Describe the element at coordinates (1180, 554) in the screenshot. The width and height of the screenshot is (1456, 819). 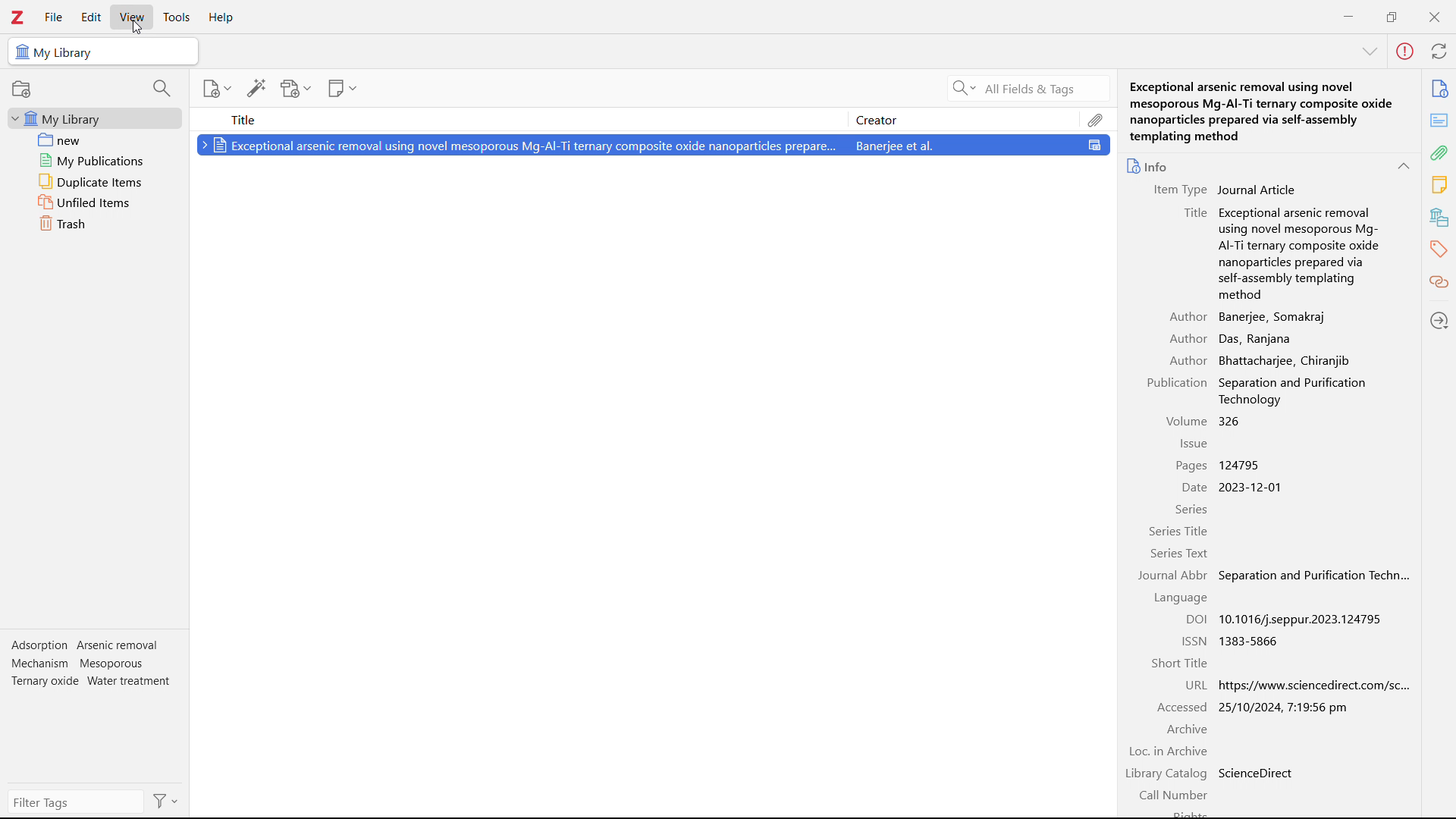
I see `Series Text` at that location.